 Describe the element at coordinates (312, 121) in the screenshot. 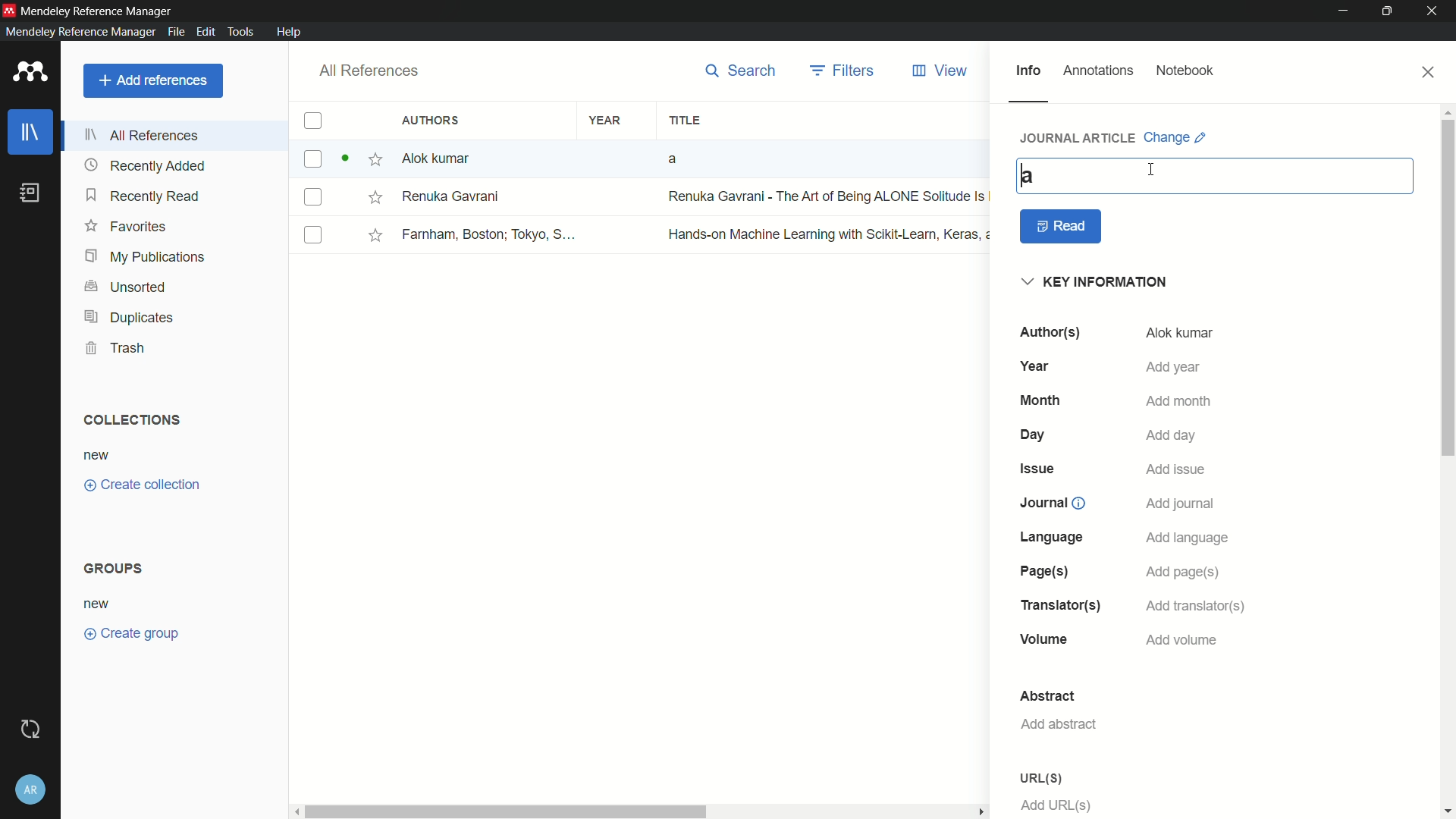

I see `checkbox` at that location.